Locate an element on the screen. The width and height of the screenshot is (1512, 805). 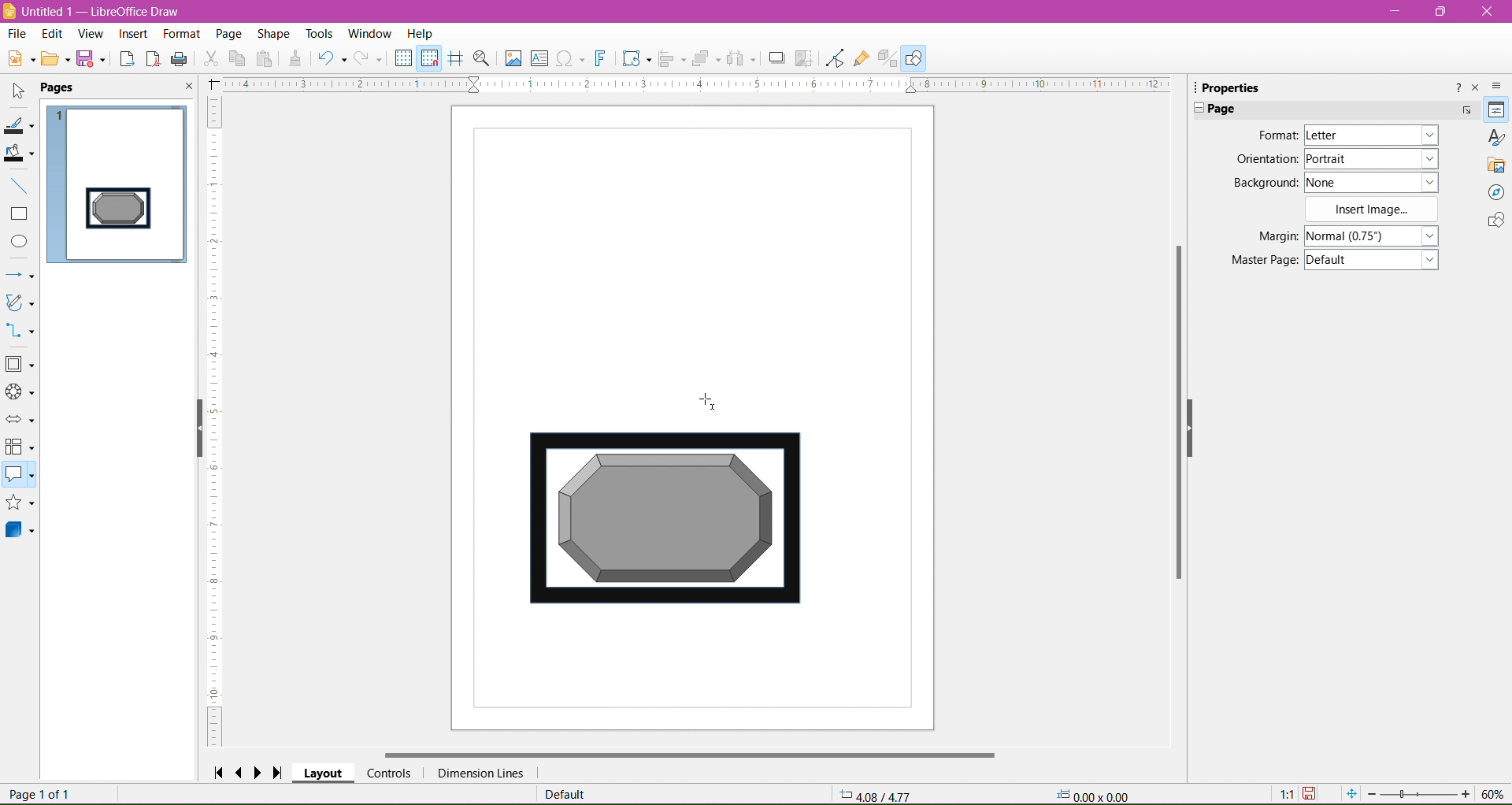
Close is located at coordinates (1486, 12).